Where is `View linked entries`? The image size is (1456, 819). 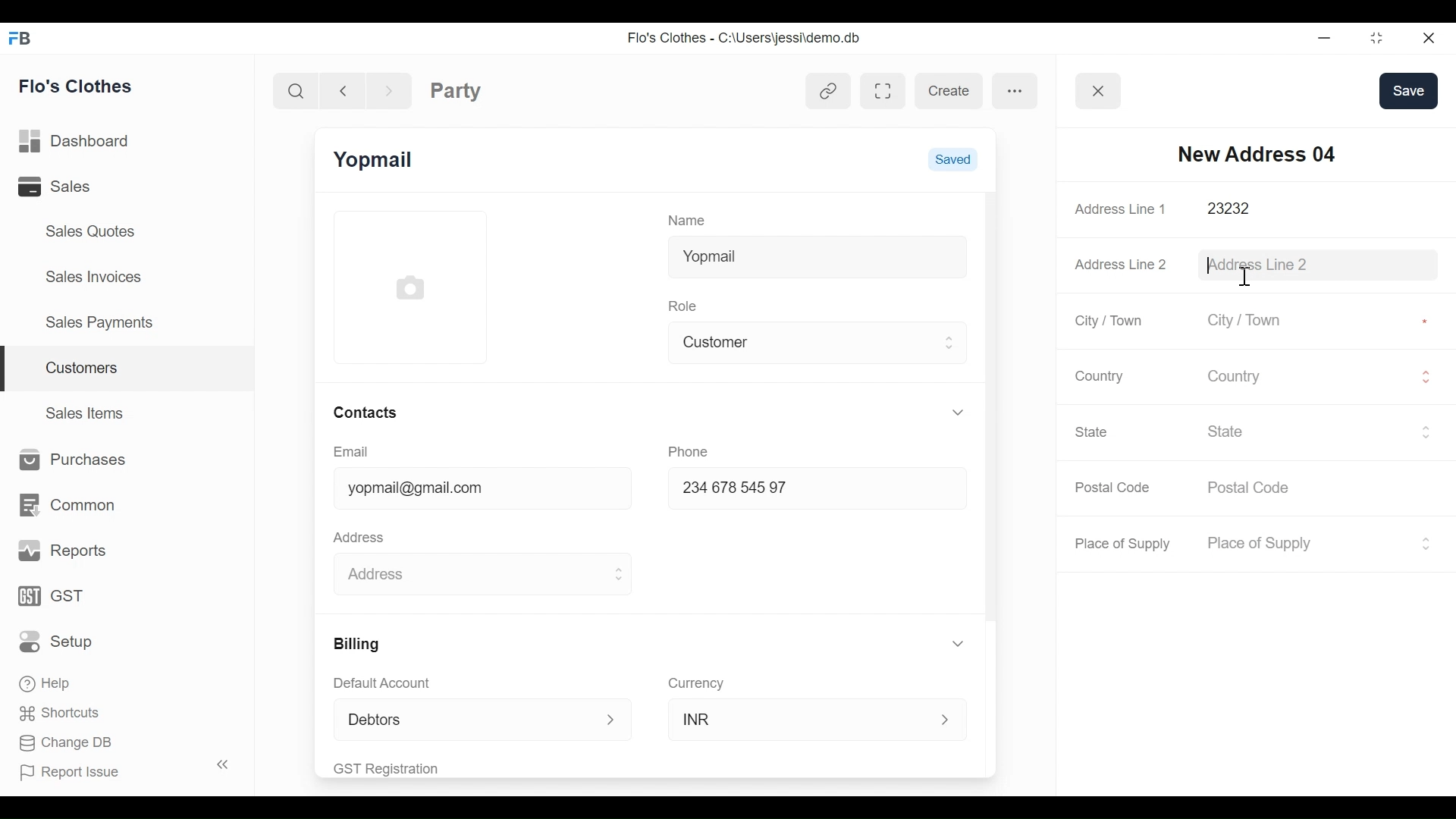
View linked entries is located at coordinates (828, 93).